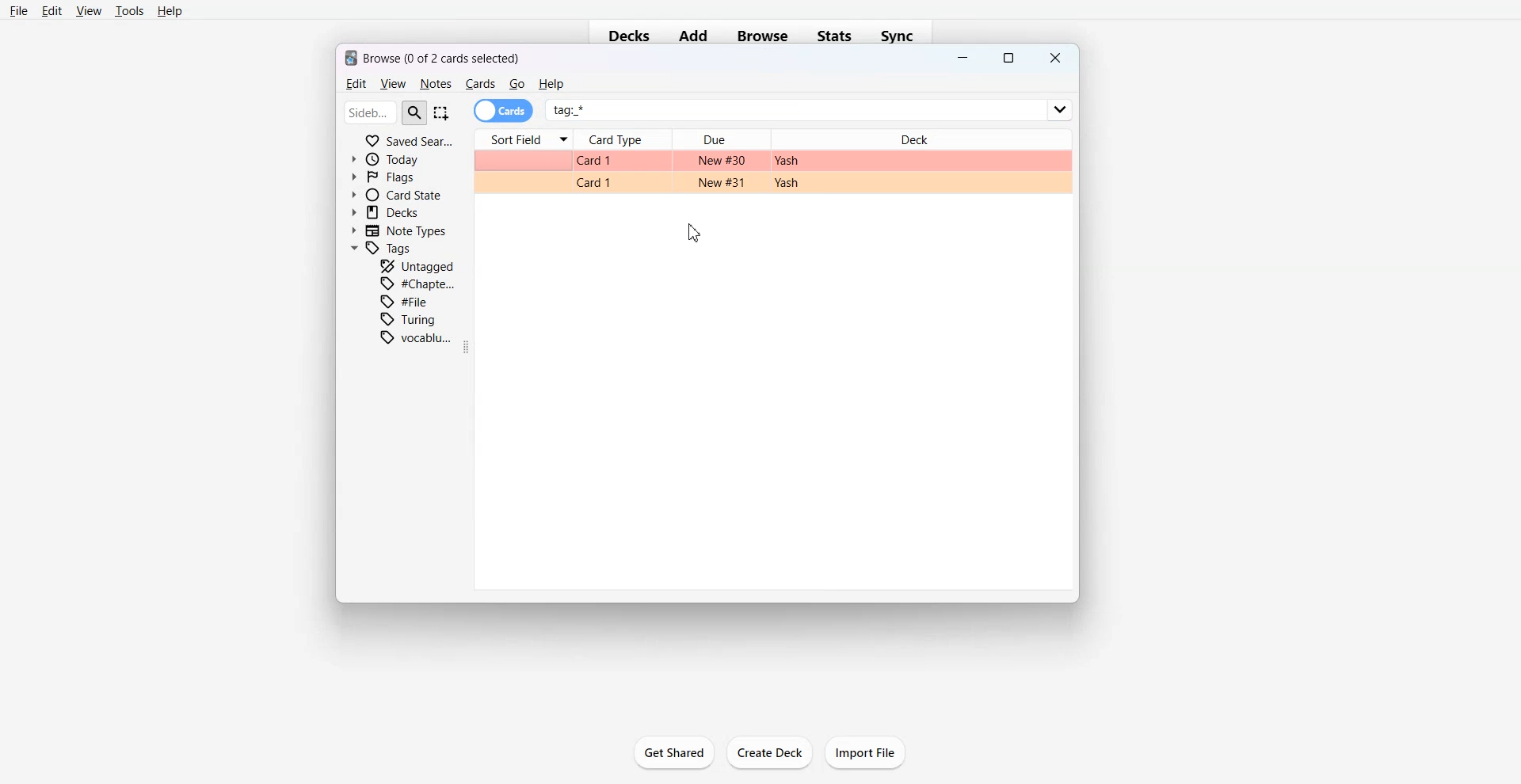  Describe the element at coordinates (551, 84) in the screenshot. I see `He` at that location.